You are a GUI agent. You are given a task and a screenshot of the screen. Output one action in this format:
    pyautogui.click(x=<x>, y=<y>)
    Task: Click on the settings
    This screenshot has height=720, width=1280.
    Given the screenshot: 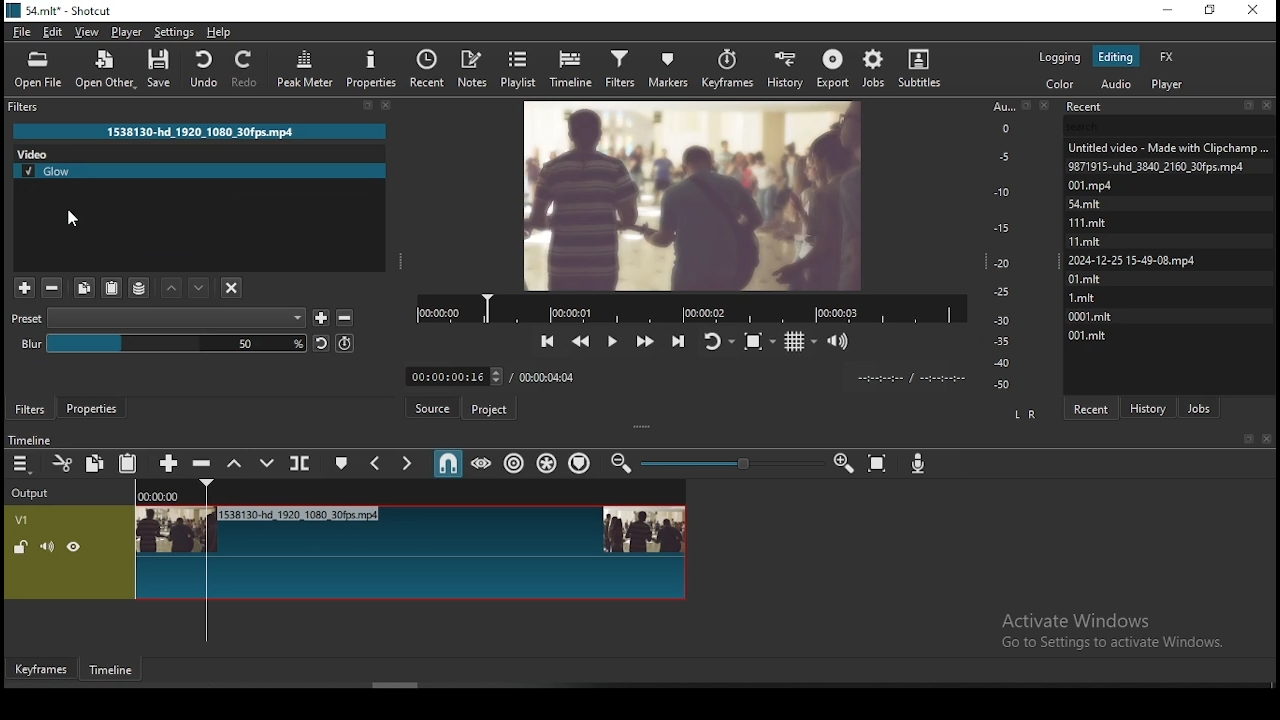 What is the action you would take?
    pyautogui.click(x=172, y=31)
    